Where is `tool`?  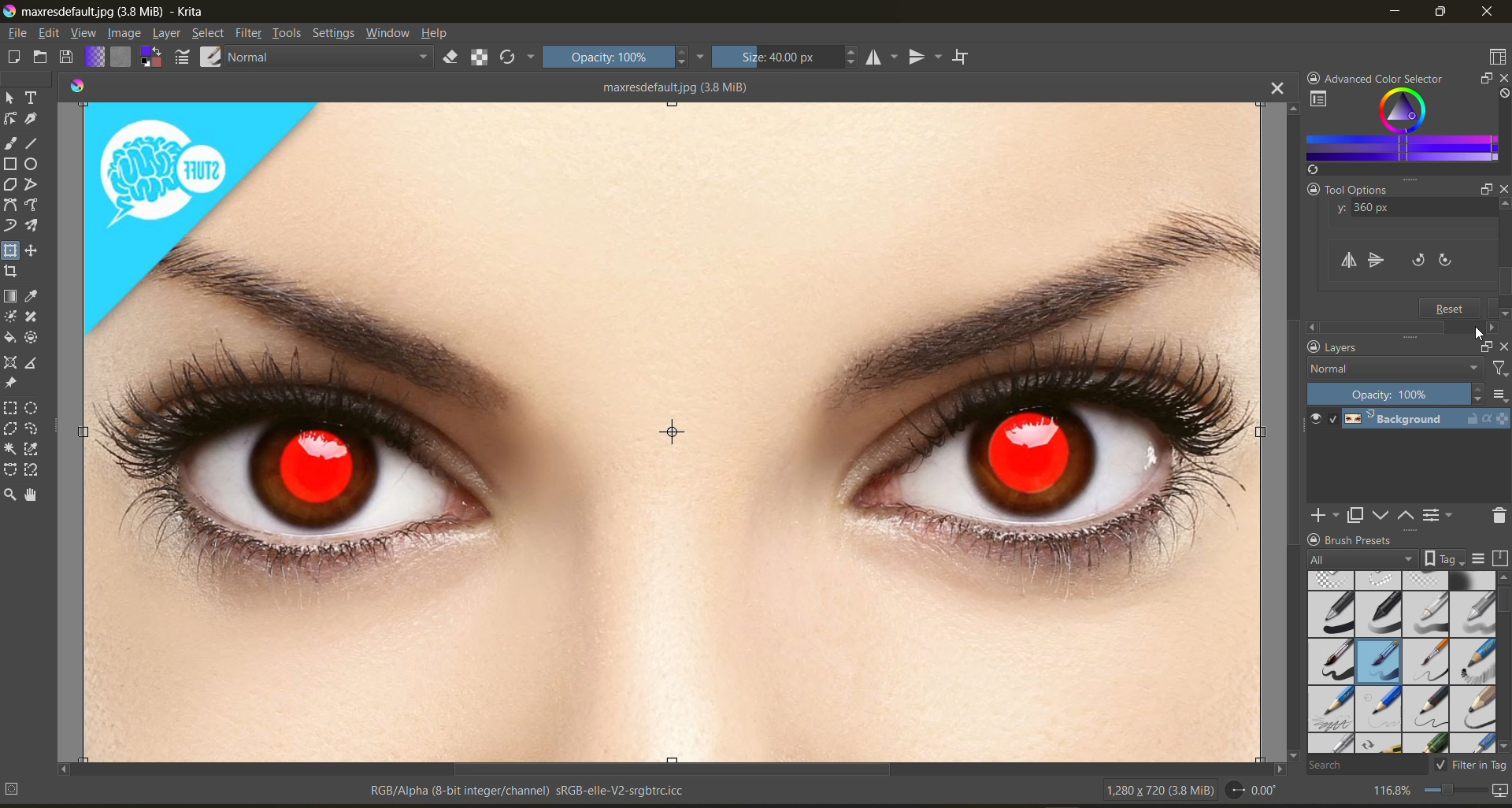 tool is located at coordinates (13, 271).